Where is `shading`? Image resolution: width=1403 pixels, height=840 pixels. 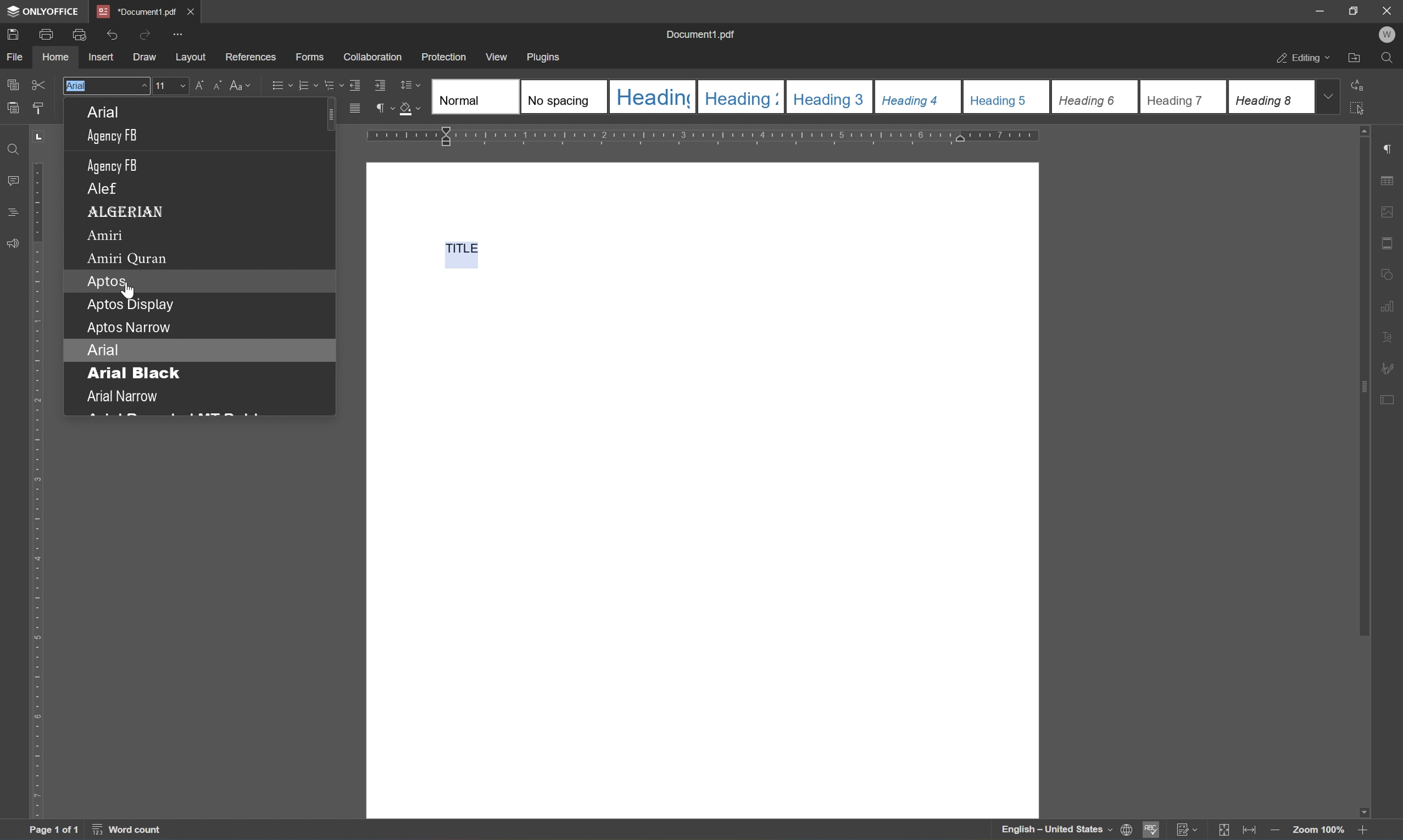 shading is located at coordinates (412, 109).